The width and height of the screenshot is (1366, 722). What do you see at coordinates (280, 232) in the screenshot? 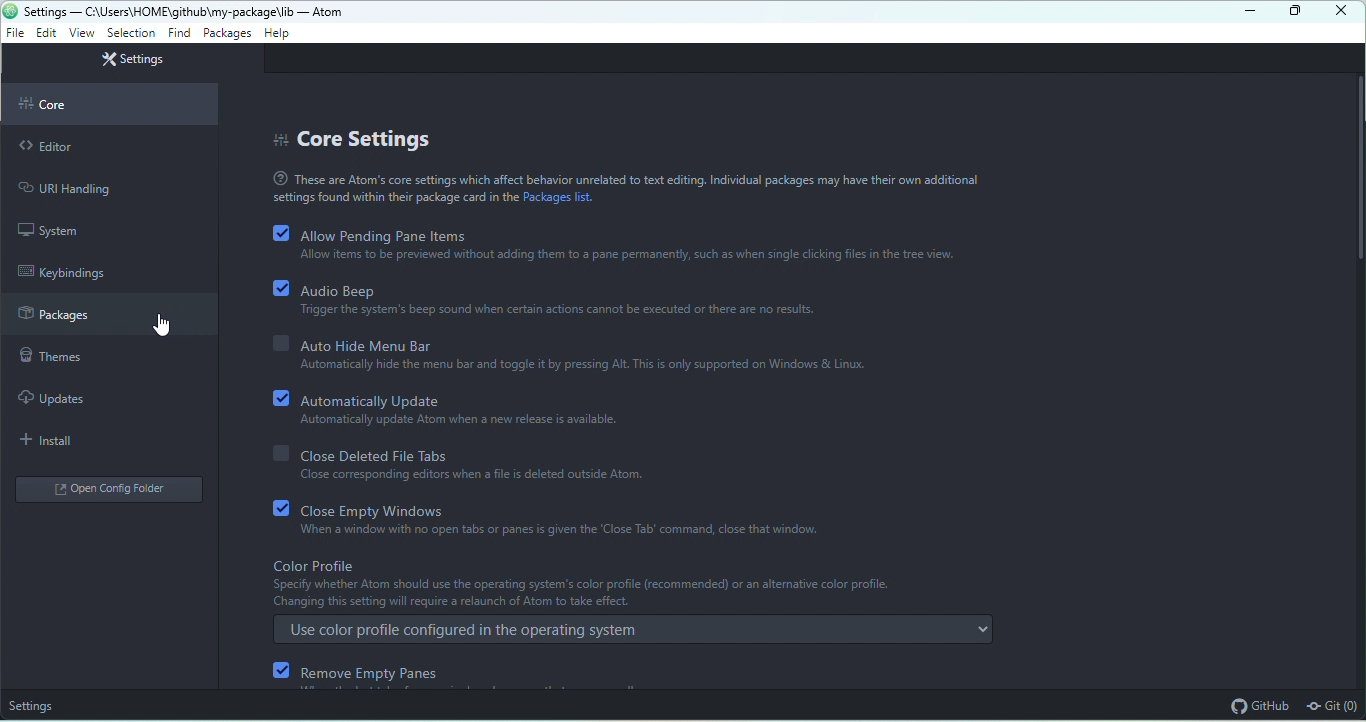
I see `checkbox with tick` at bounding box center [280, 232].